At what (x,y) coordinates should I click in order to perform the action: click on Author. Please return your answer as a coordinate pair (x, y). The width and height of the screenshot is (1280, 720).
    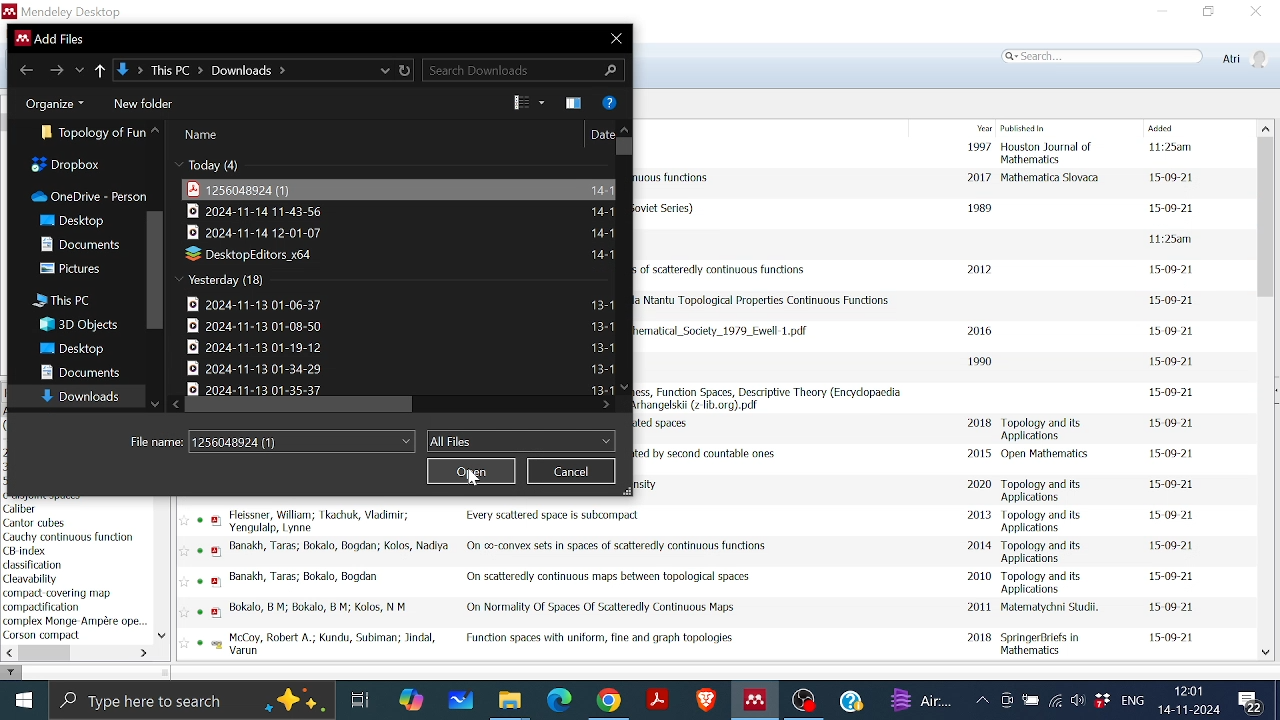
    Looking at the image, I should click on (304, 577).